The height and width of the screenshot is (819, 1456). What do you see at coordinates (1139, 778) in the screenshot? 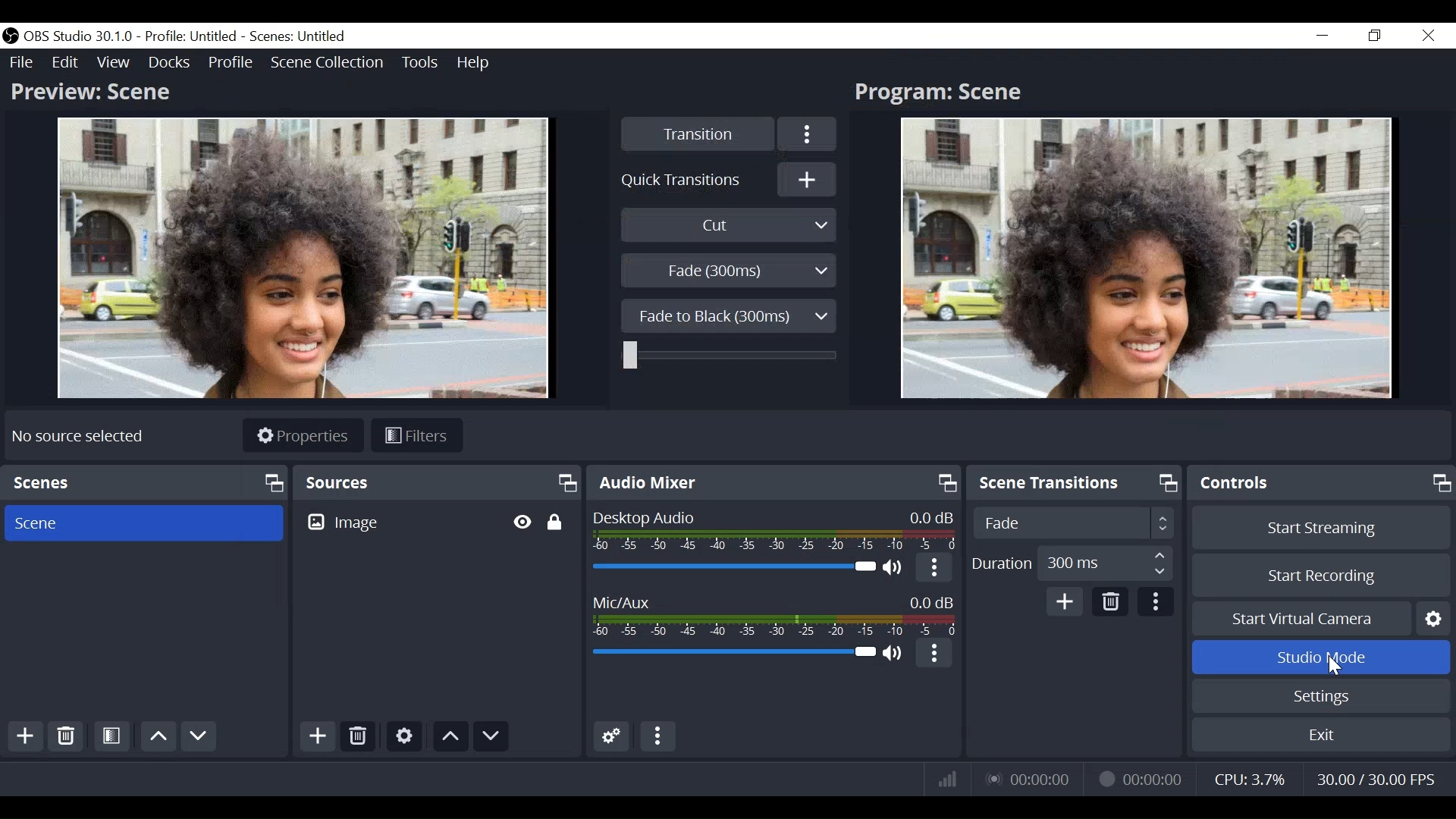
I see `Recording Status` at bounding box center [1139, 778].